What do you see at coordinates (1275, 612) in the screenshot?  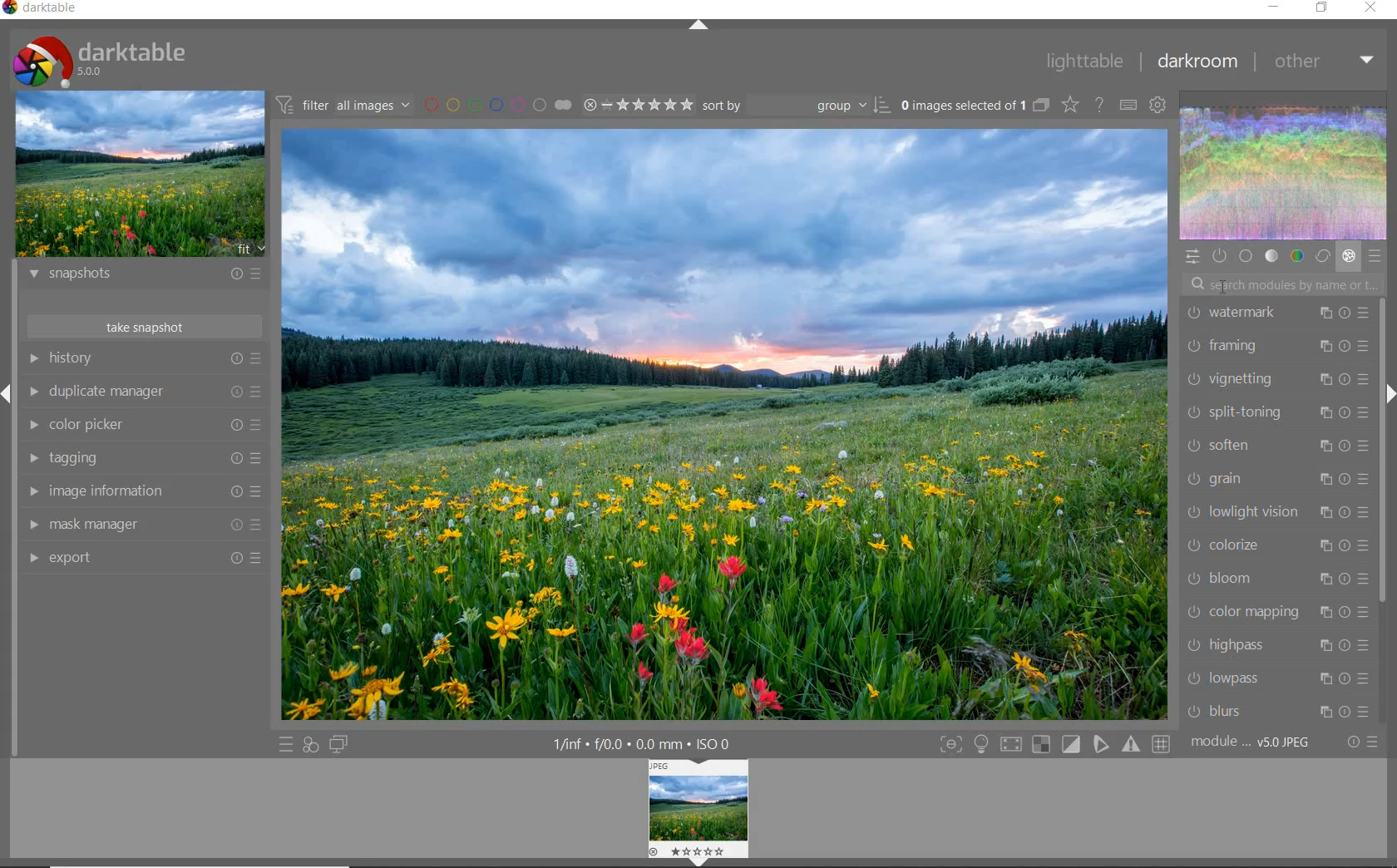 I see `color mapping` at bounding box center [1275, 612].